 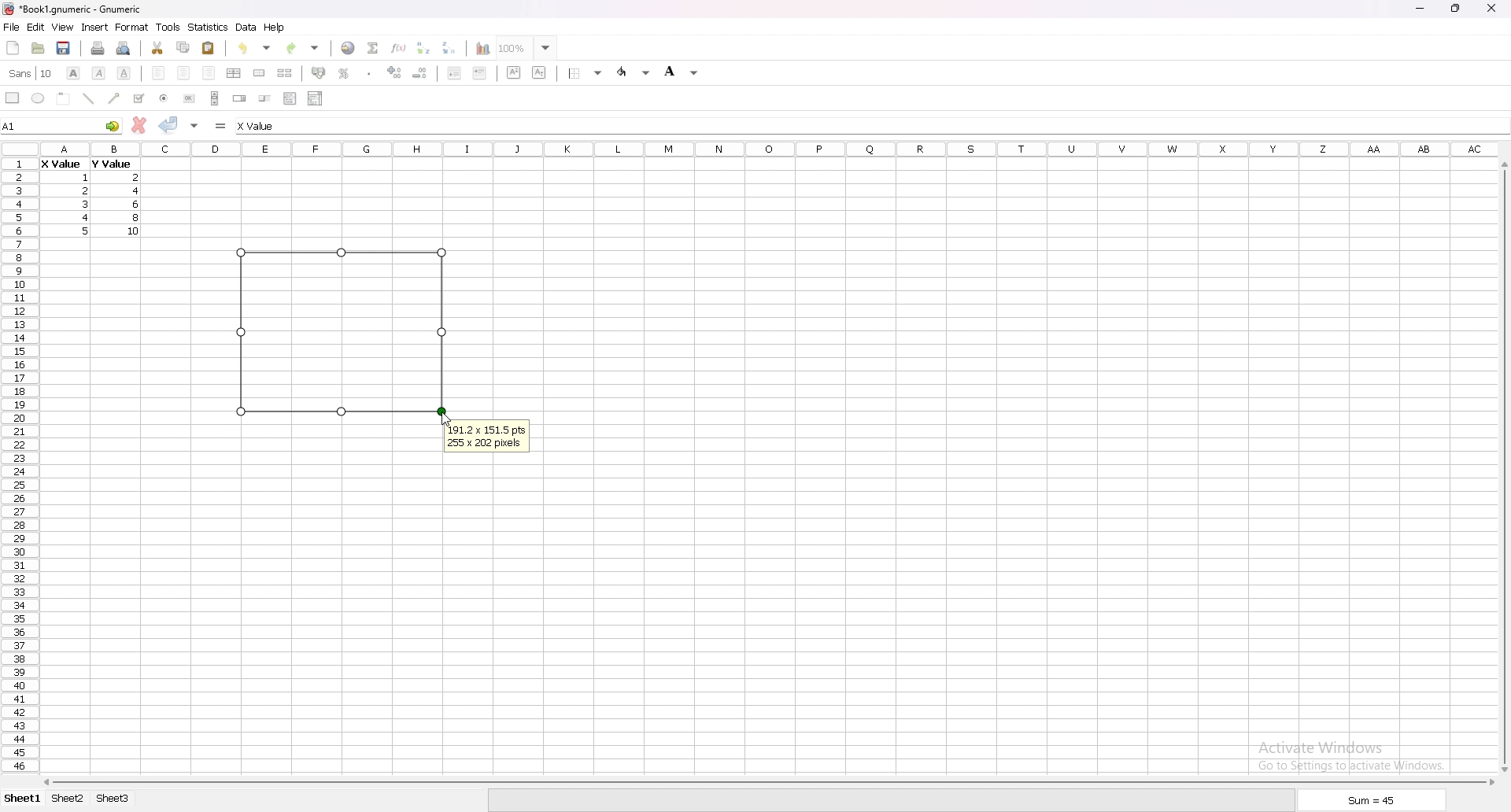 What do you see at coordinates (168, 27) in the screenshot?
I see `tools` at bounding box center [168, 27].